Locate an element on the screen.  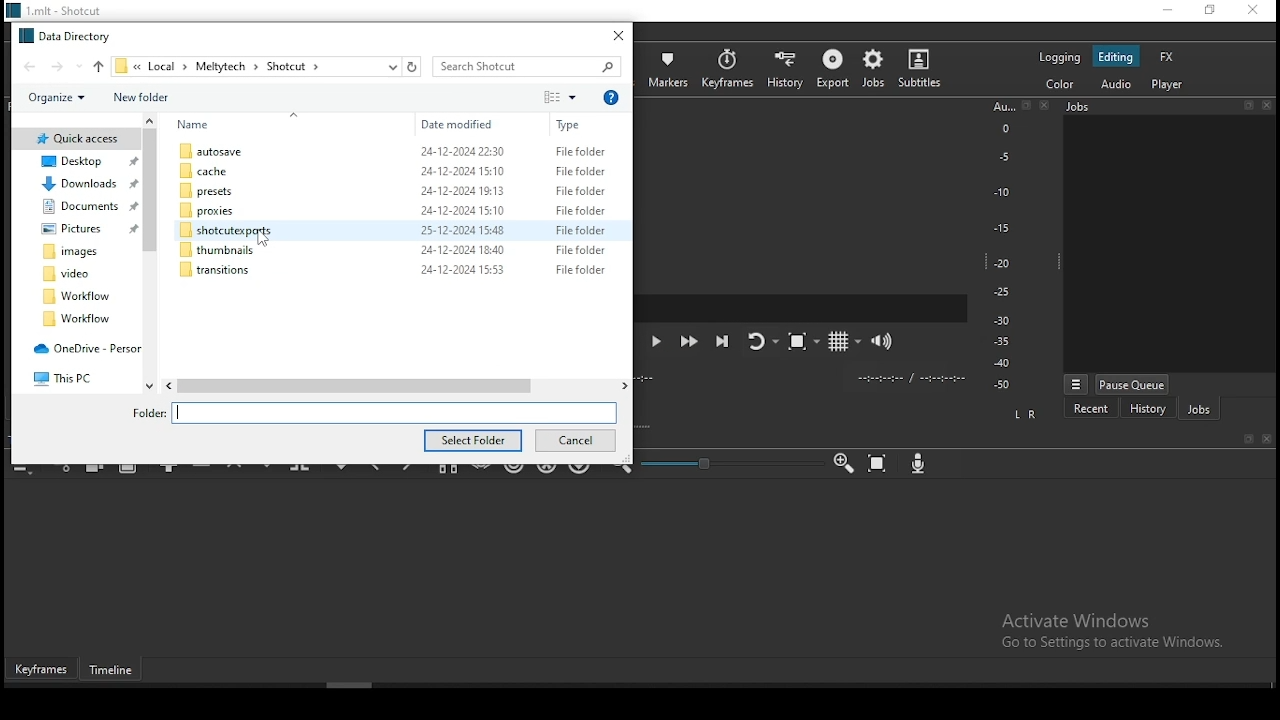
keyframes is located at coordinates (727, 68).